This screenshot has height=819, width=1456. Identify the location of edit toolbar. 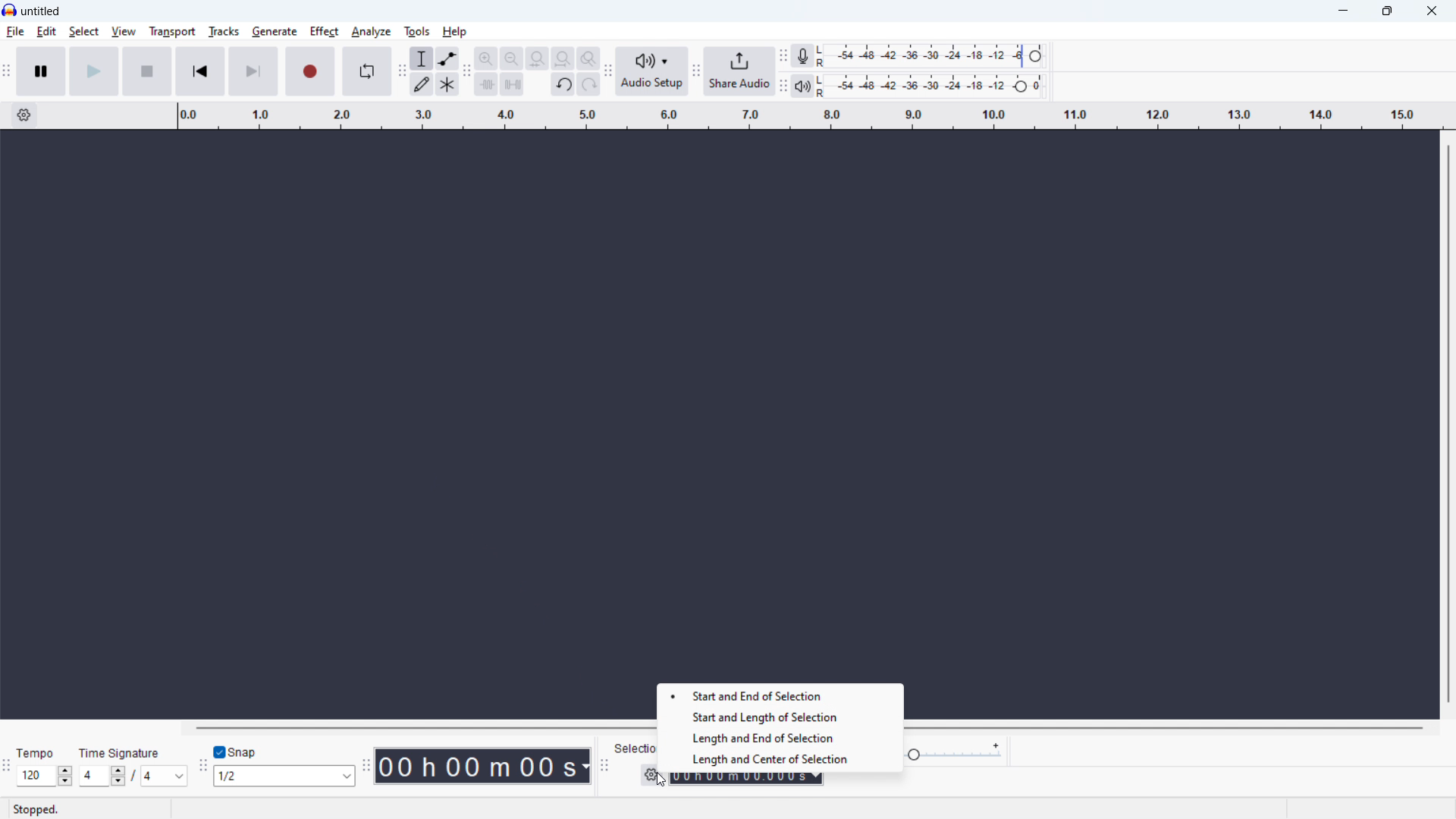
(467, 72).